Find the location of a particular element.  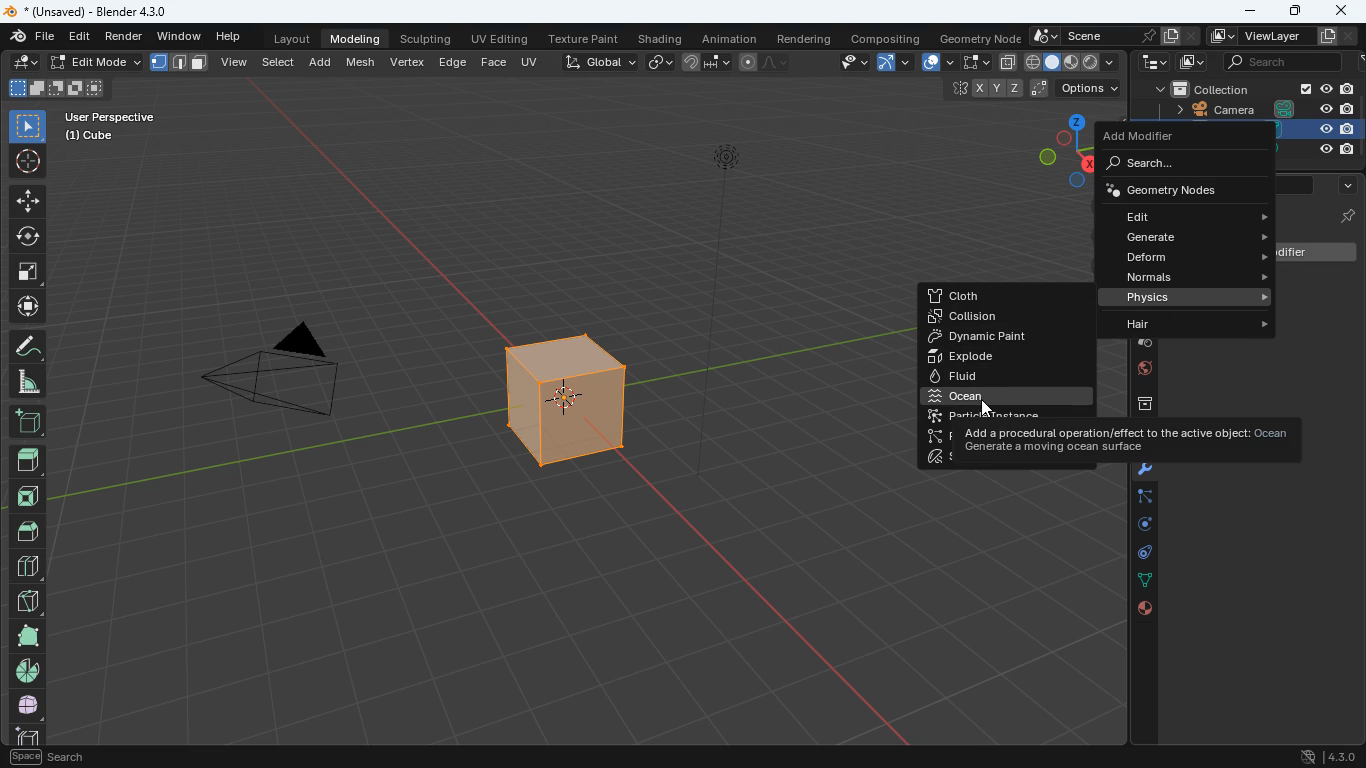

texture paint is located at coordinates (584, 36).